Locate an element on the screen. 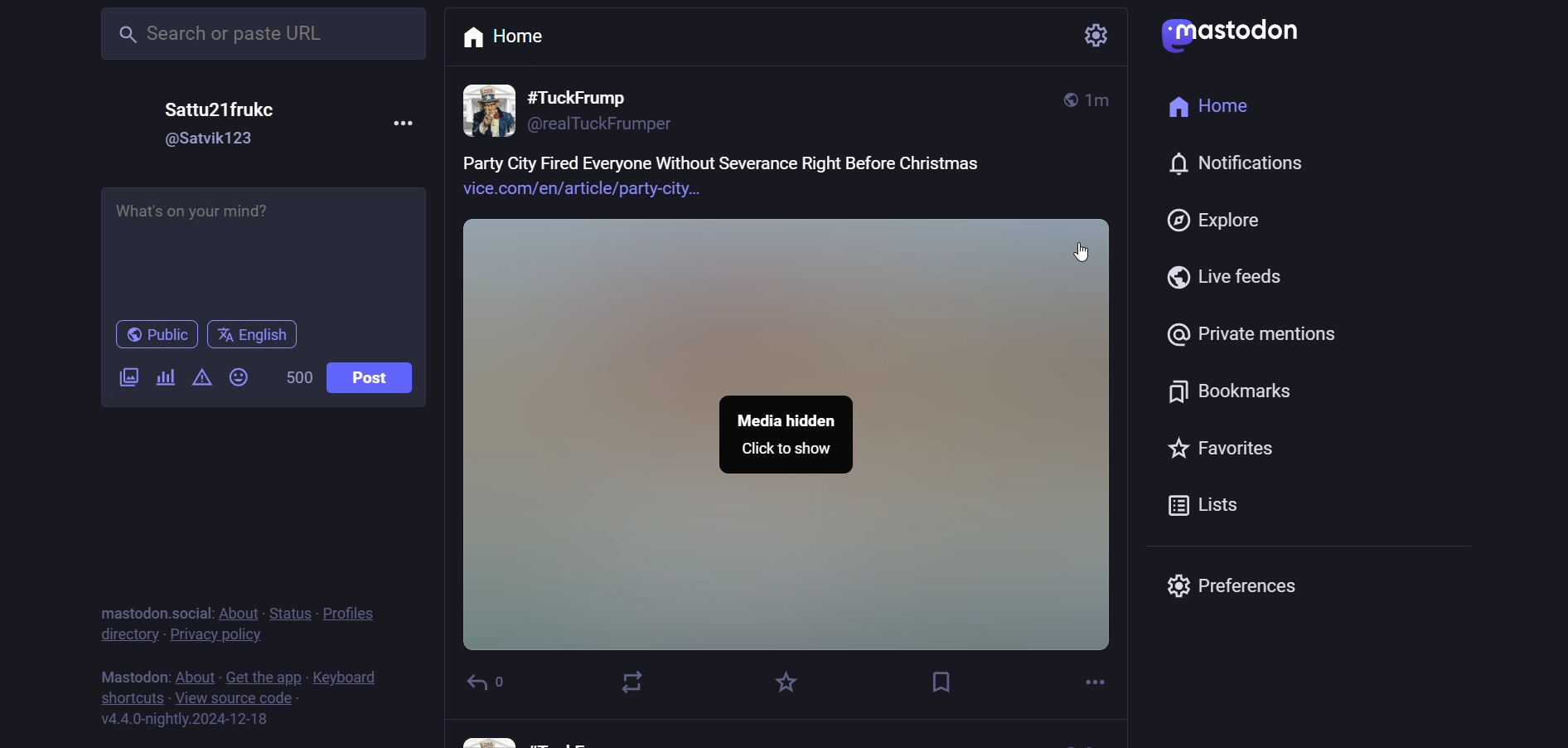 This screenshot has height=748, width=1568. bookmarks is located at coordinates (941, 682).